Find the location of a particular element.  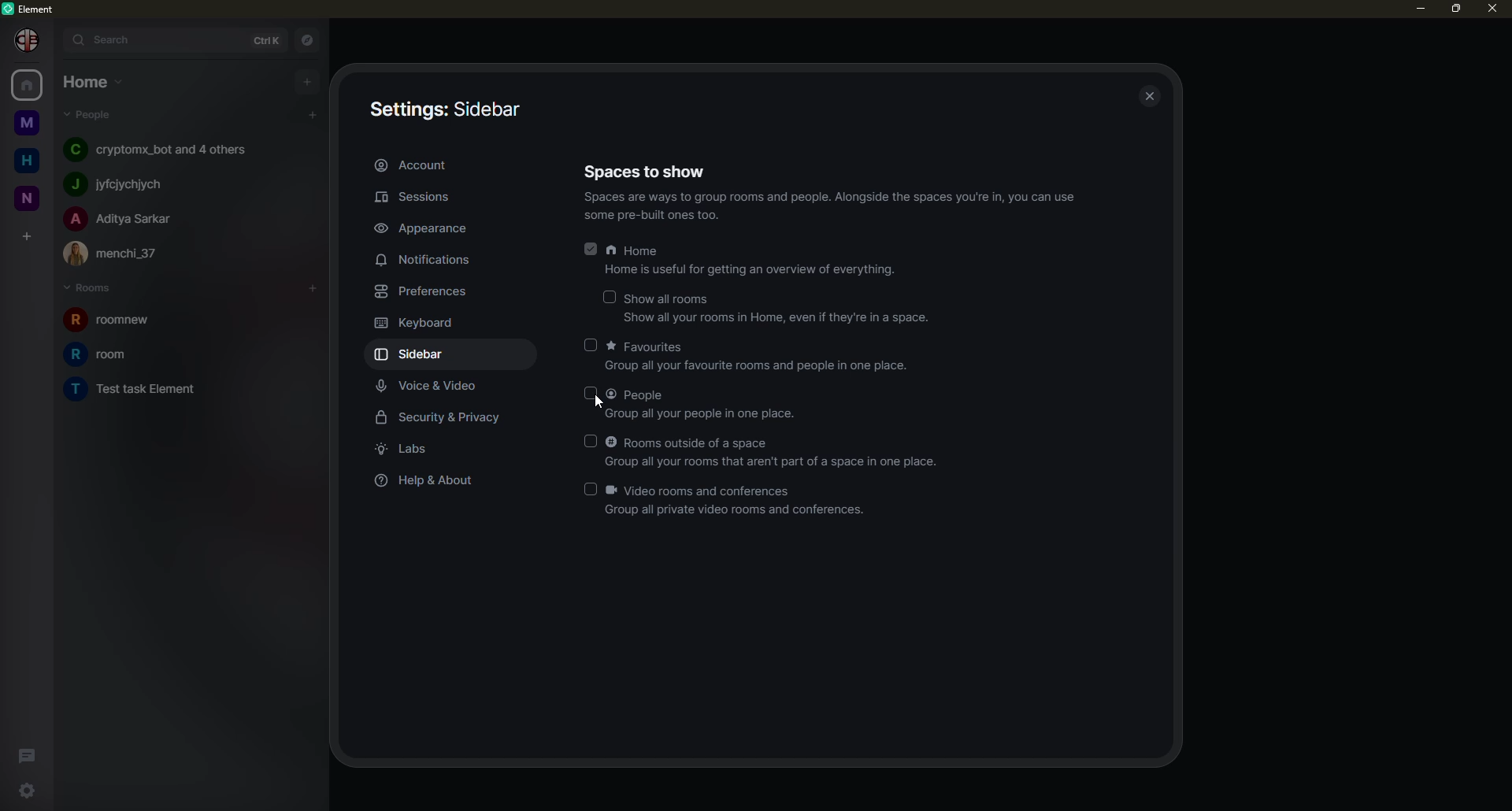

preferences is located at coordinates (425, 291).